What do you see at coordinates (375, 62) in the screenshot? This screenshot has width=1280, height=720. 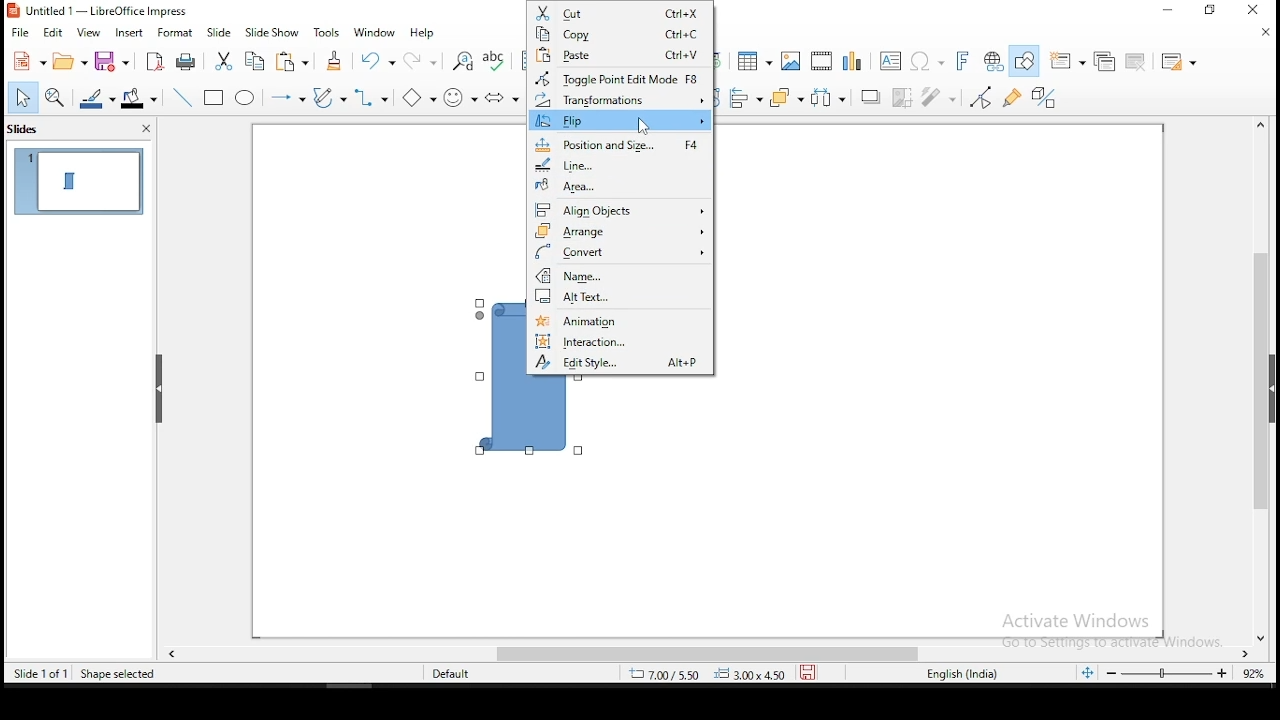 I see `undo` at bounding box center [375, 62].